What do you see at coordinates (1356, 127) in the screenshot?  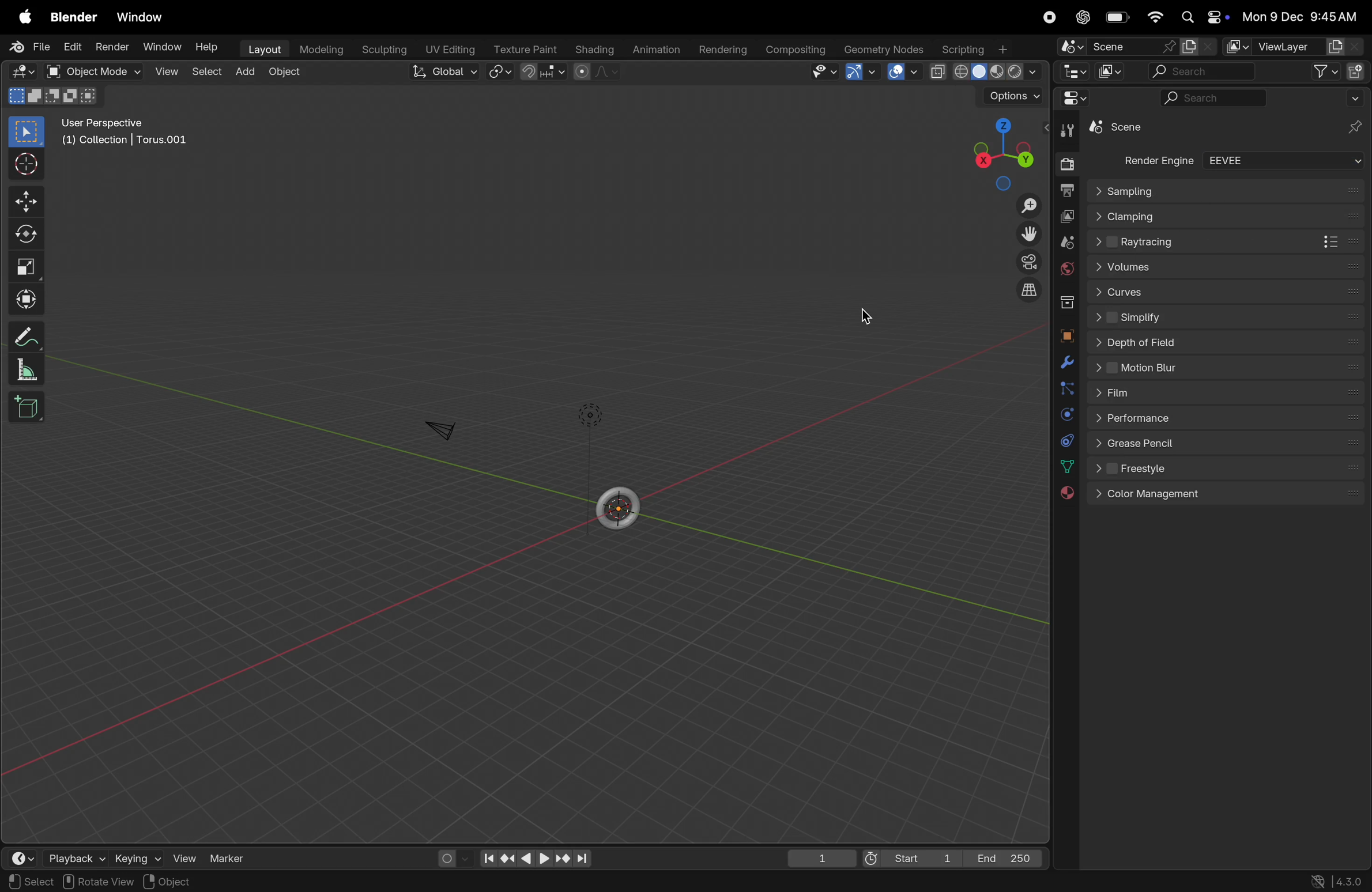 I see `pins` at bounding box center [1356, 127].